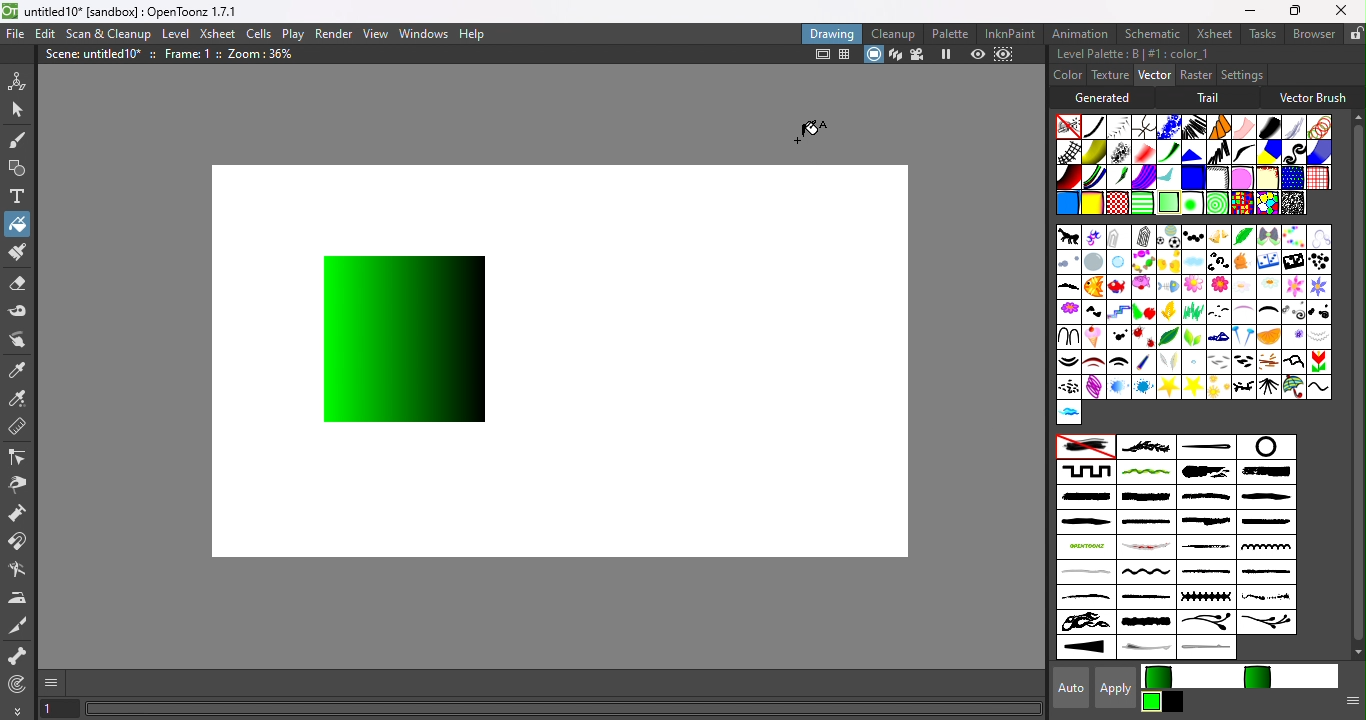 The width and height of the screenshot is (1366, 720). Describe the element at coordinates (1144, 202) in the screenshot. I see `Banded` at that location.